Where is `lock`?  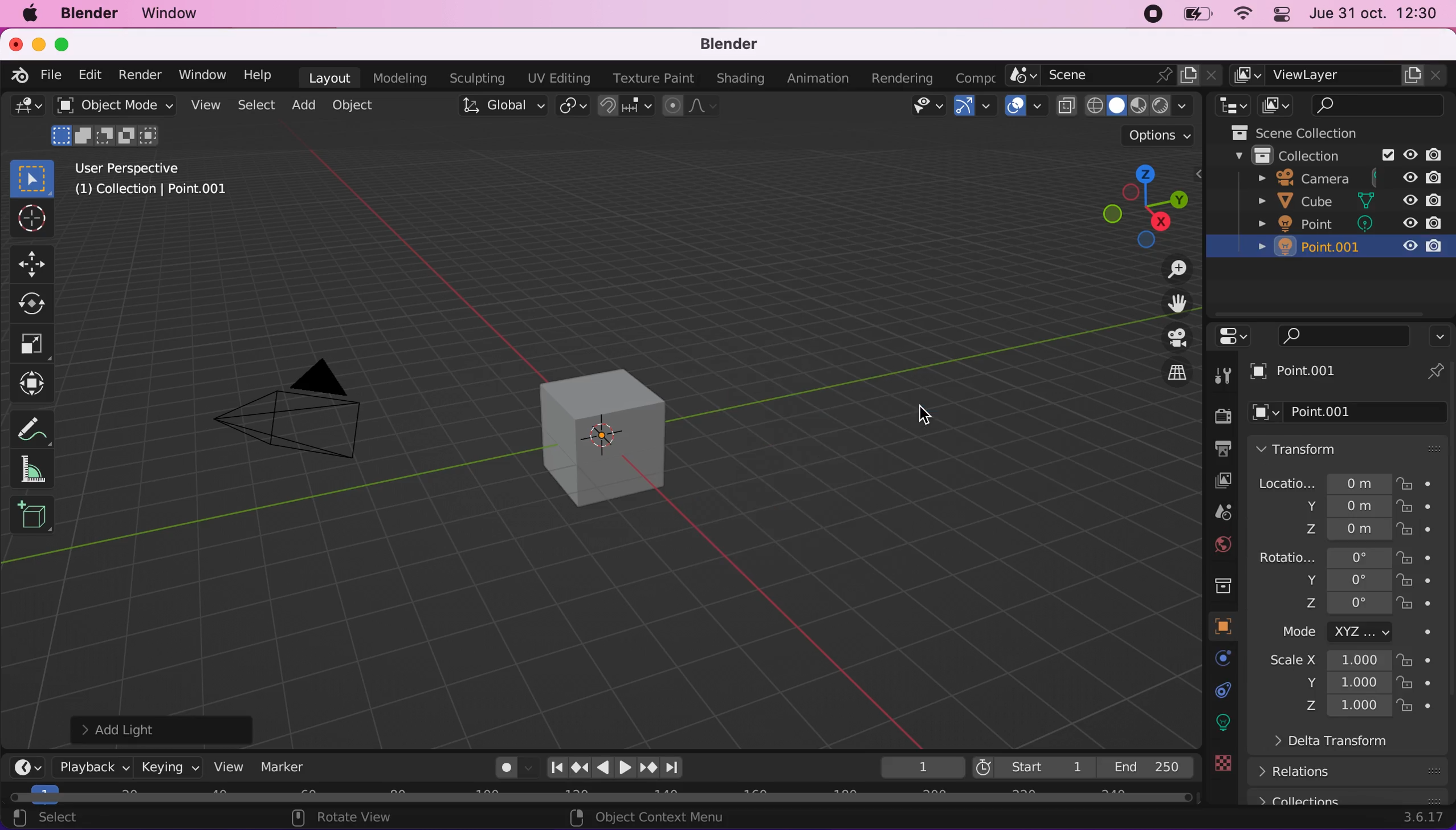 lock is located at coordinates (1425, 681).